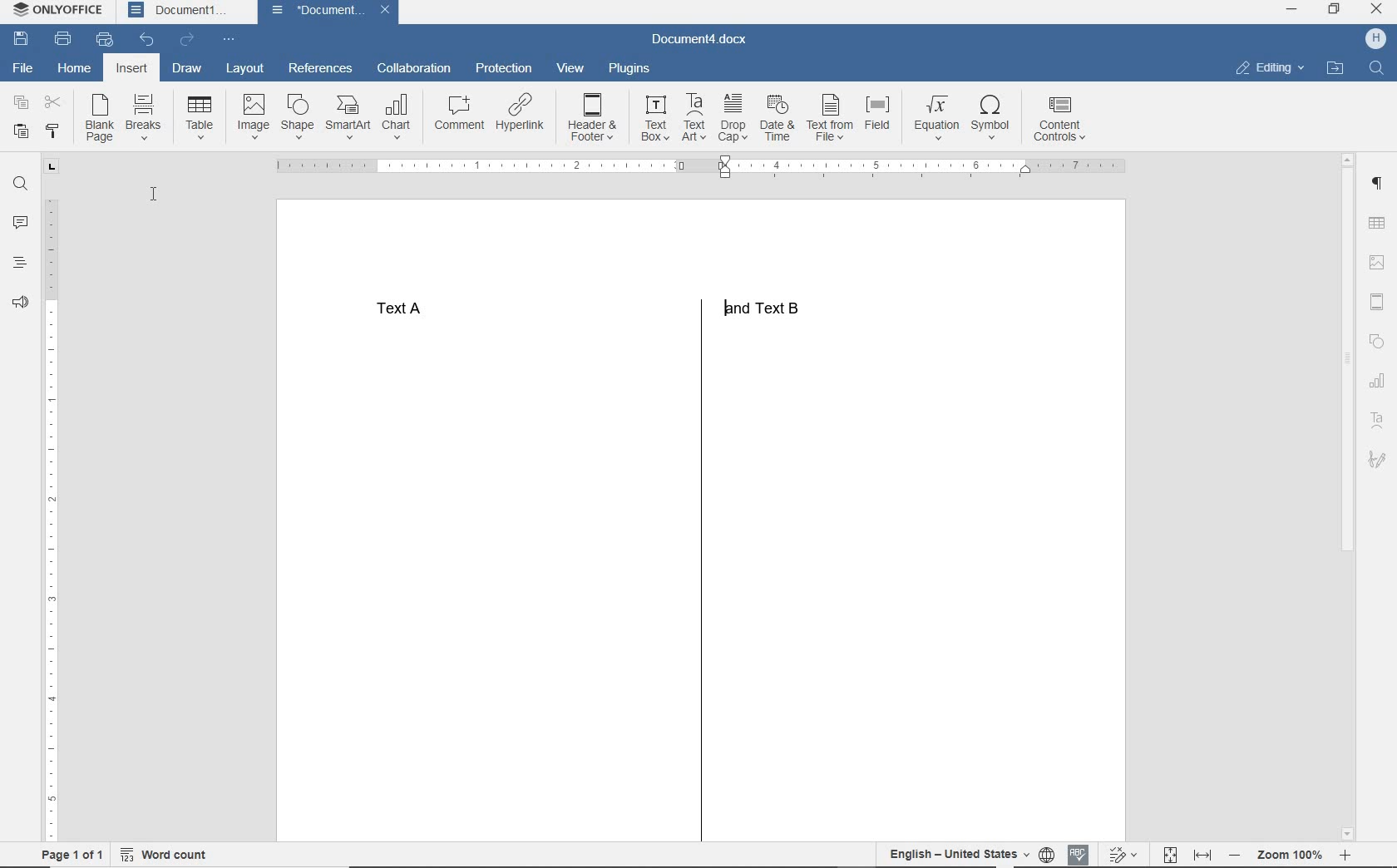 This screenshot has height=868, width=1397. I want to click on FEEDBACK & SUPPORT, so click(19, 301).